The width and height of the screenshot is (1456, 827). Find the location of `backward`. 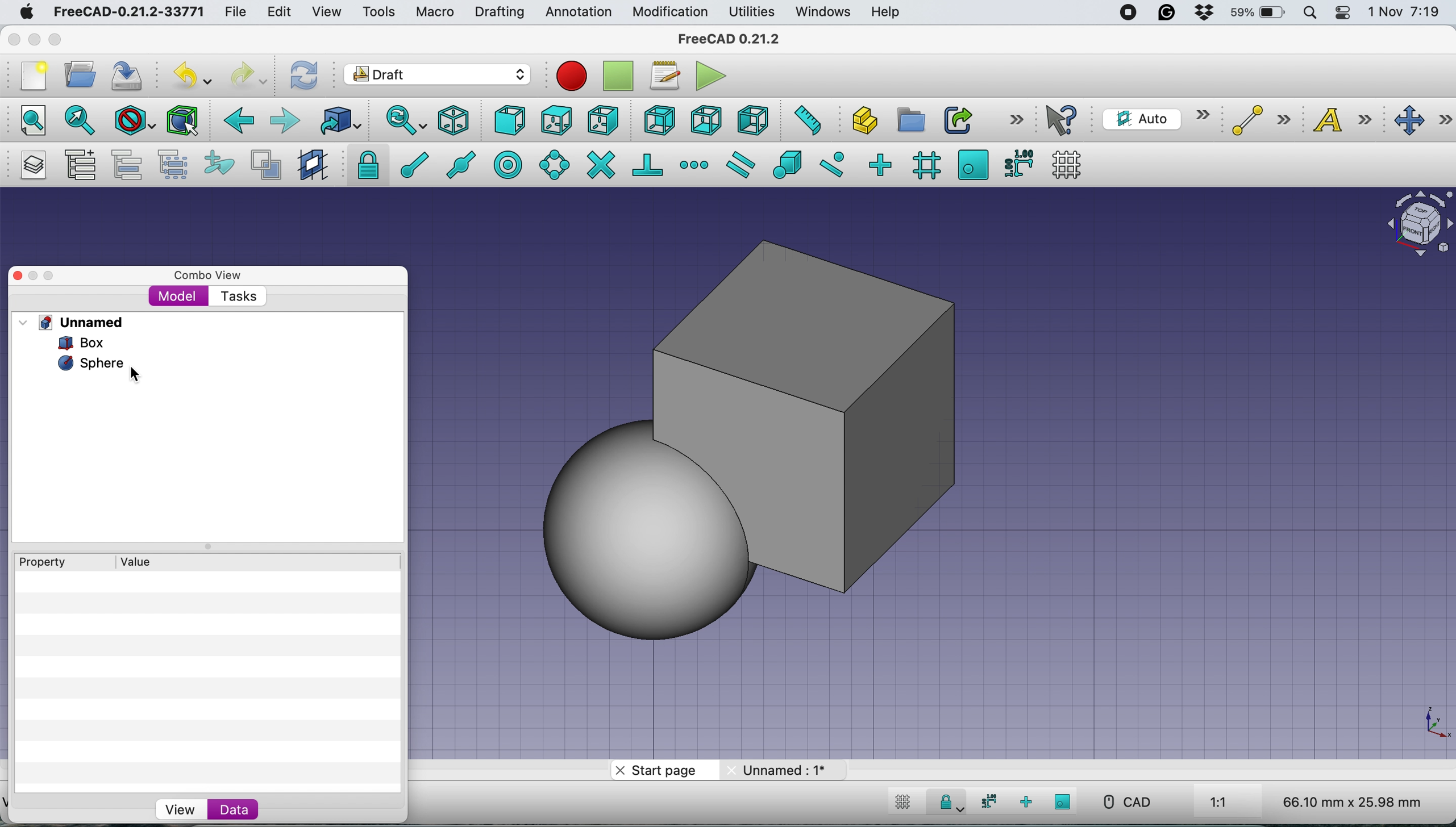

backward is located at coordinates (236, 120).